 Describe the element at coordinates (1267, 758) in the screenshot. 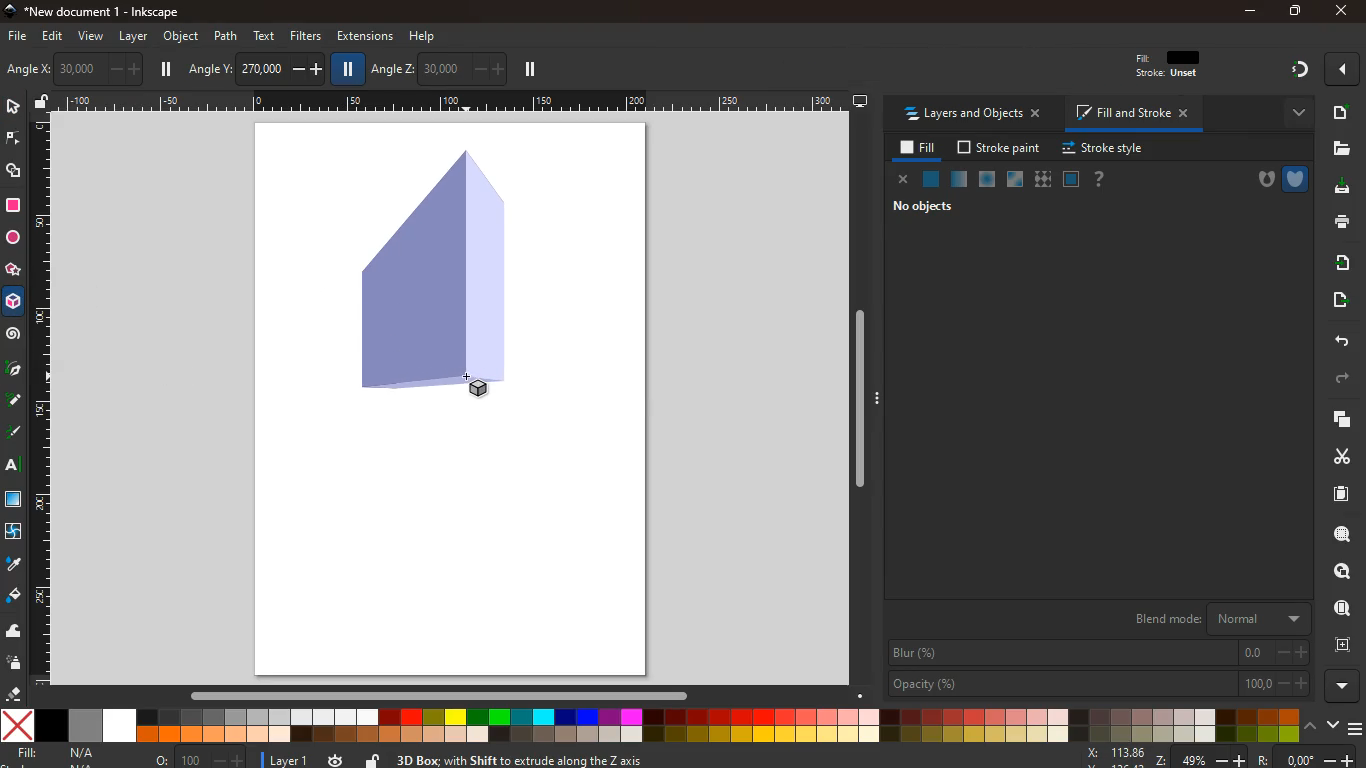

I see `` at that location.